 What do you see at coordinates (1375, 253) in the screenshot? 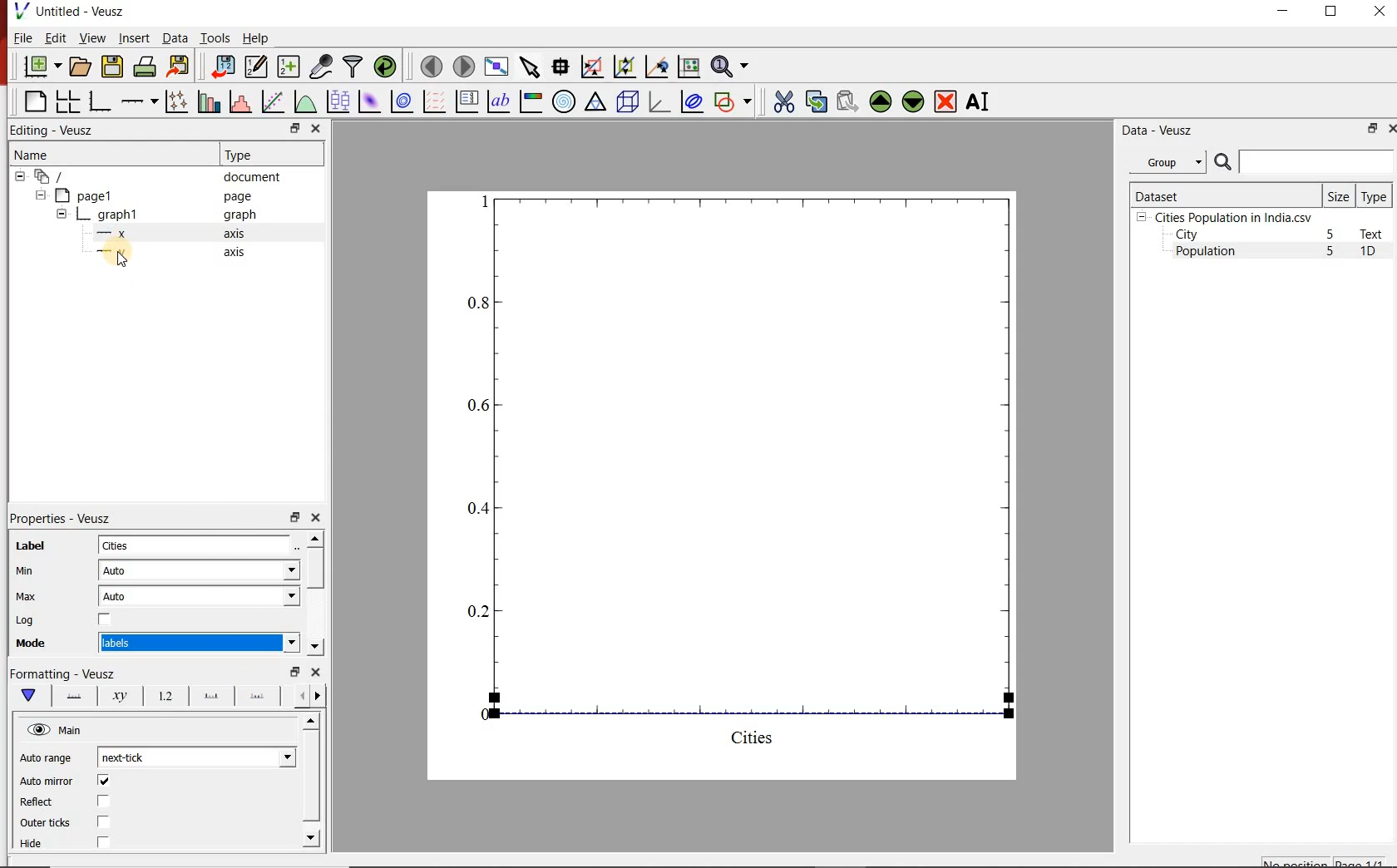
I see `1D` at bounding box center [1375, 253].